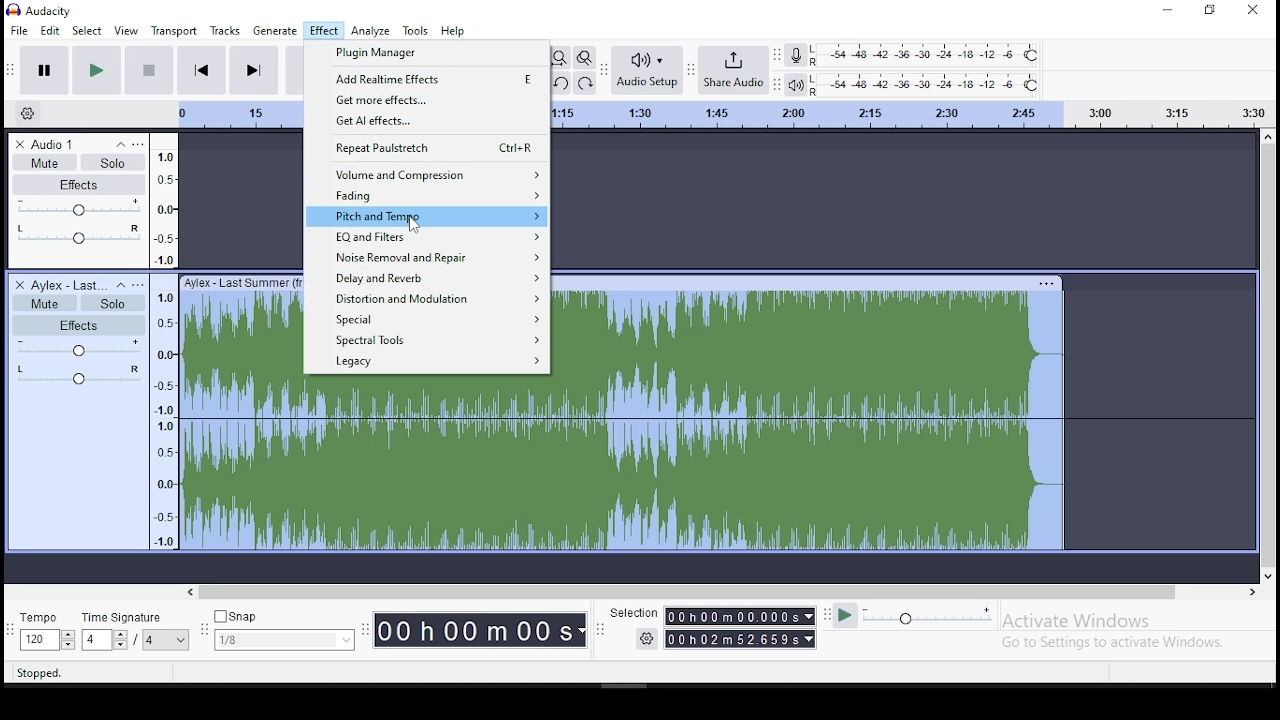 This screenshot has width=1280, height=720. I want to click on playback meter, so click(794, 84).